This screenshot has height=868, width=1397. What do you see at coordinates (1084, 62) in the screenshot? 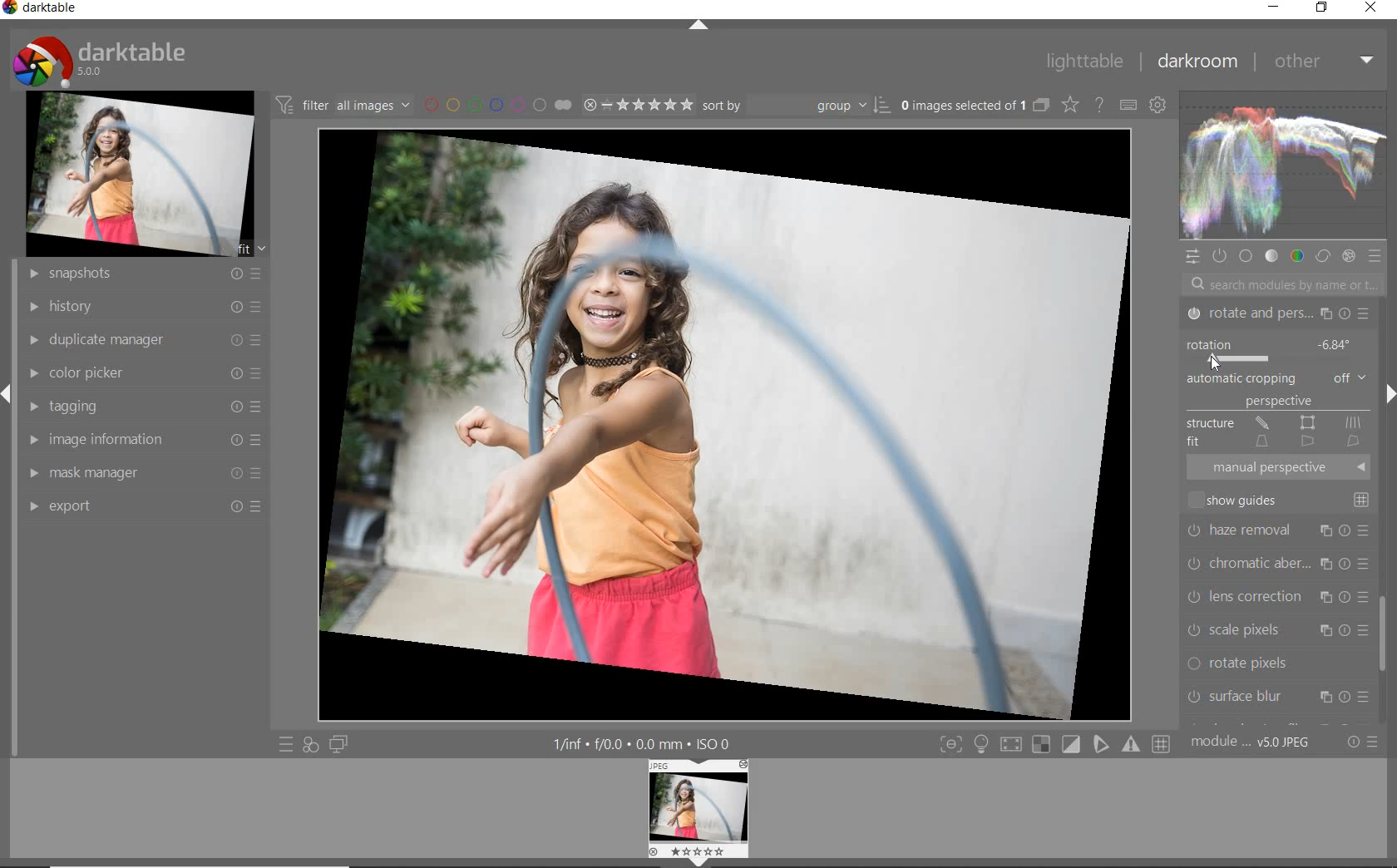
I see `lighttable` at bounding box center [1084, 62].